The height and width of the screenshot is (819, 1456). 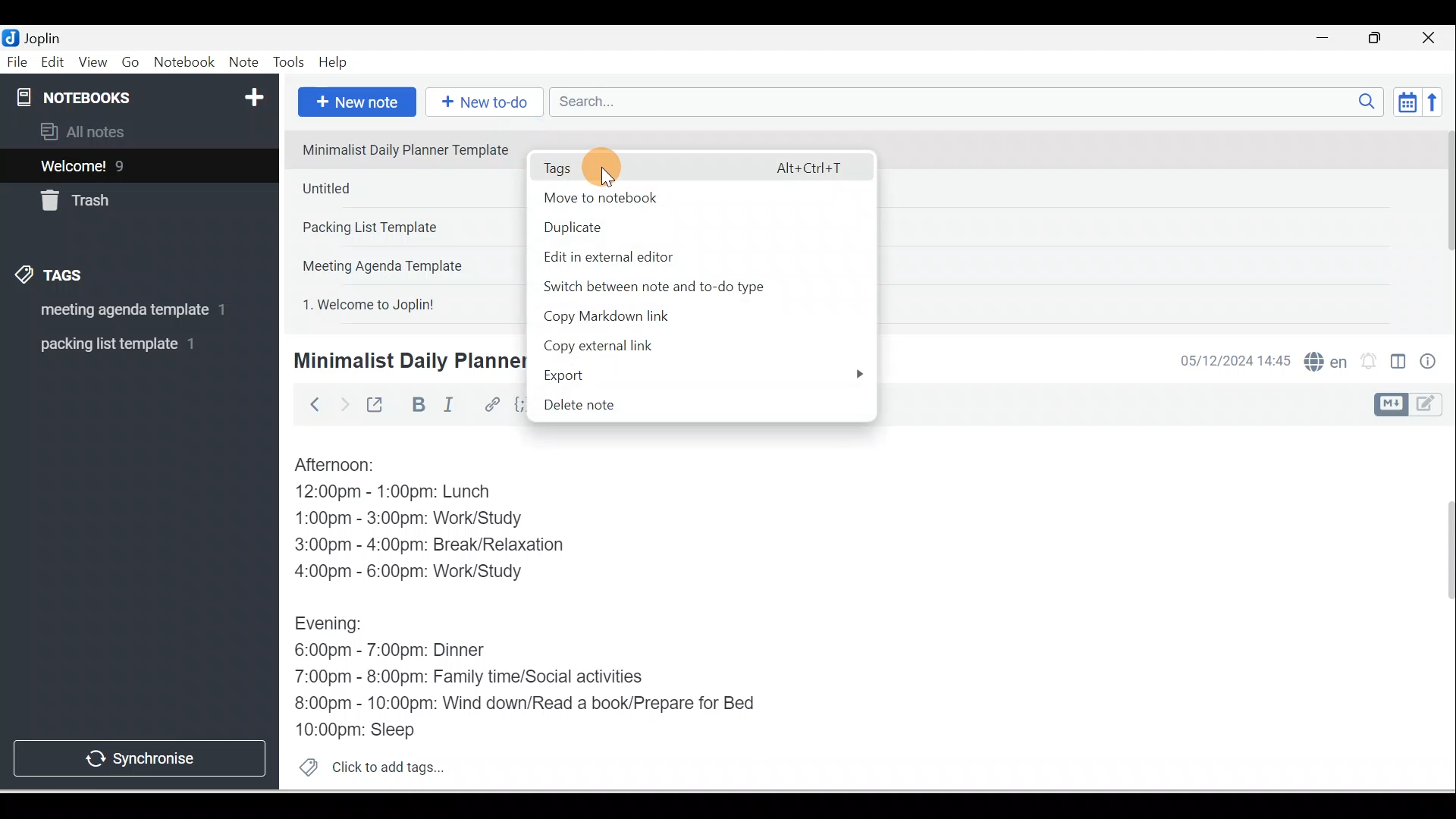 What do you see at coordinates (522, 406) in the screenshot?
I see `Code` at bounding box center [522, 406].